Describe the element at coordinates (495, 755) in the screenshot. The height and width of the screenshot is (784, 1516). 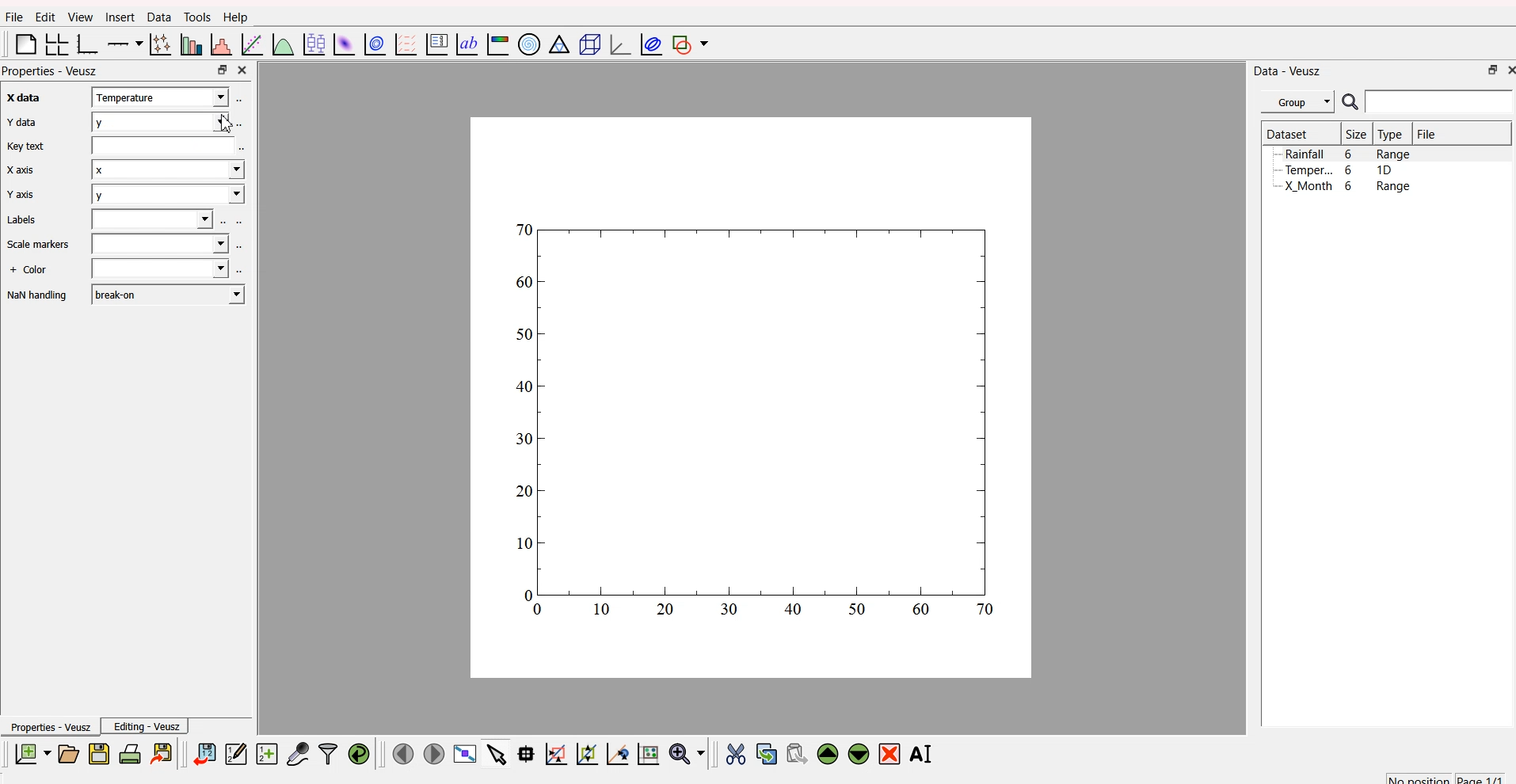
I see `select items from graph` at that location.